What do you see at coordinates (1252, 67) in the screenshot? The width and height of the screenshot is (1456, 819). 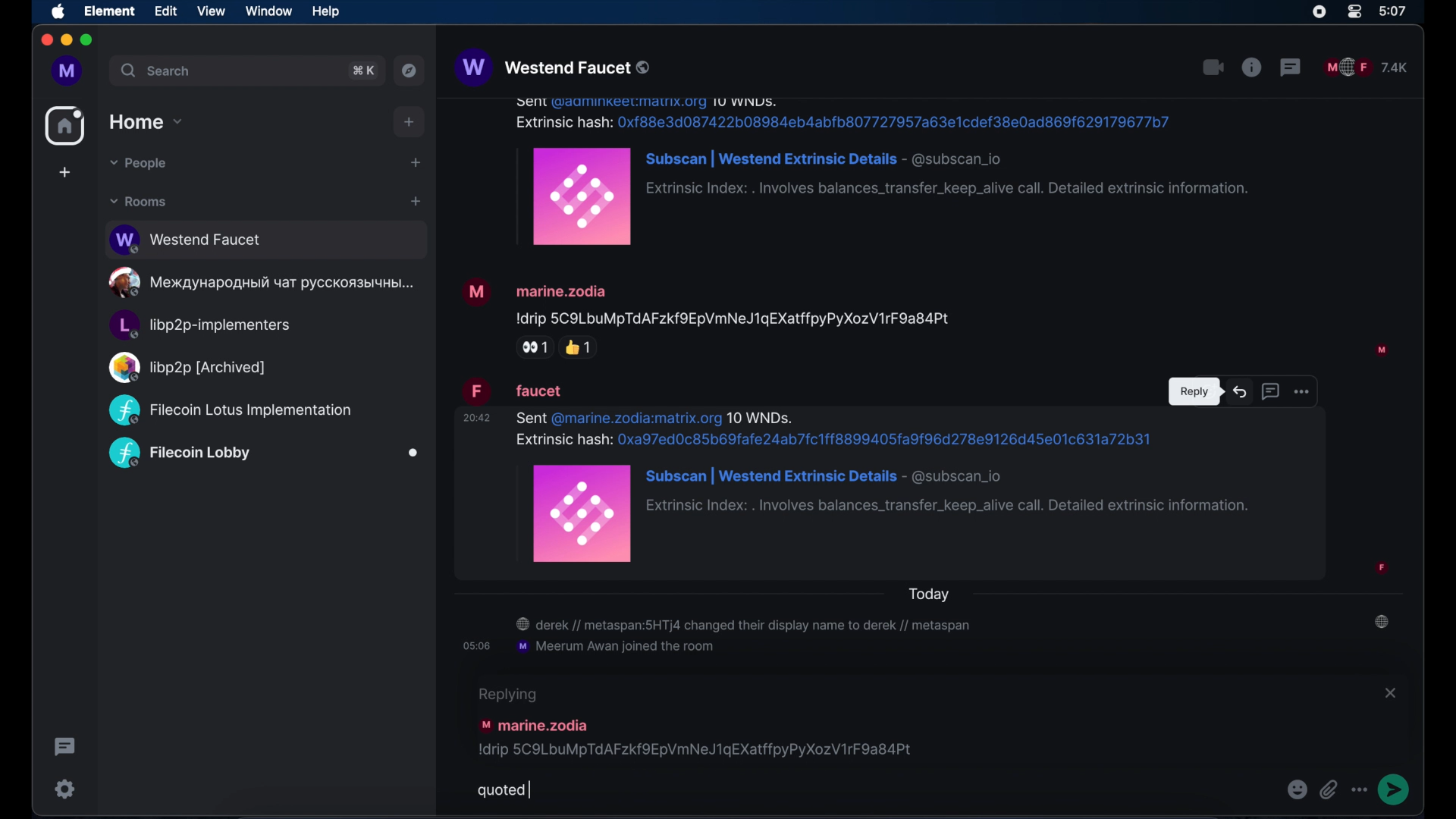 I see `public room properties` at bounding box center [1252, 67].